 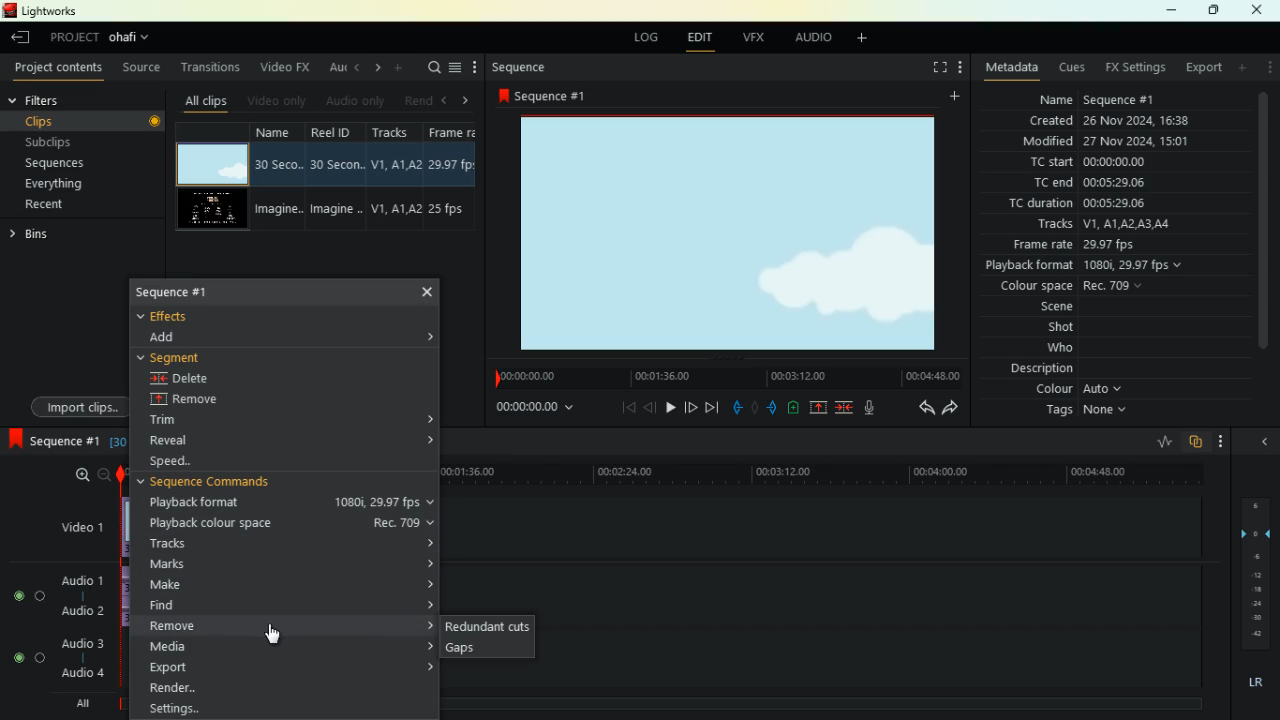 What do you see at coordinates (83, 674) in the screenshot?
I see `audio 4` at bounding box center [83, 674].